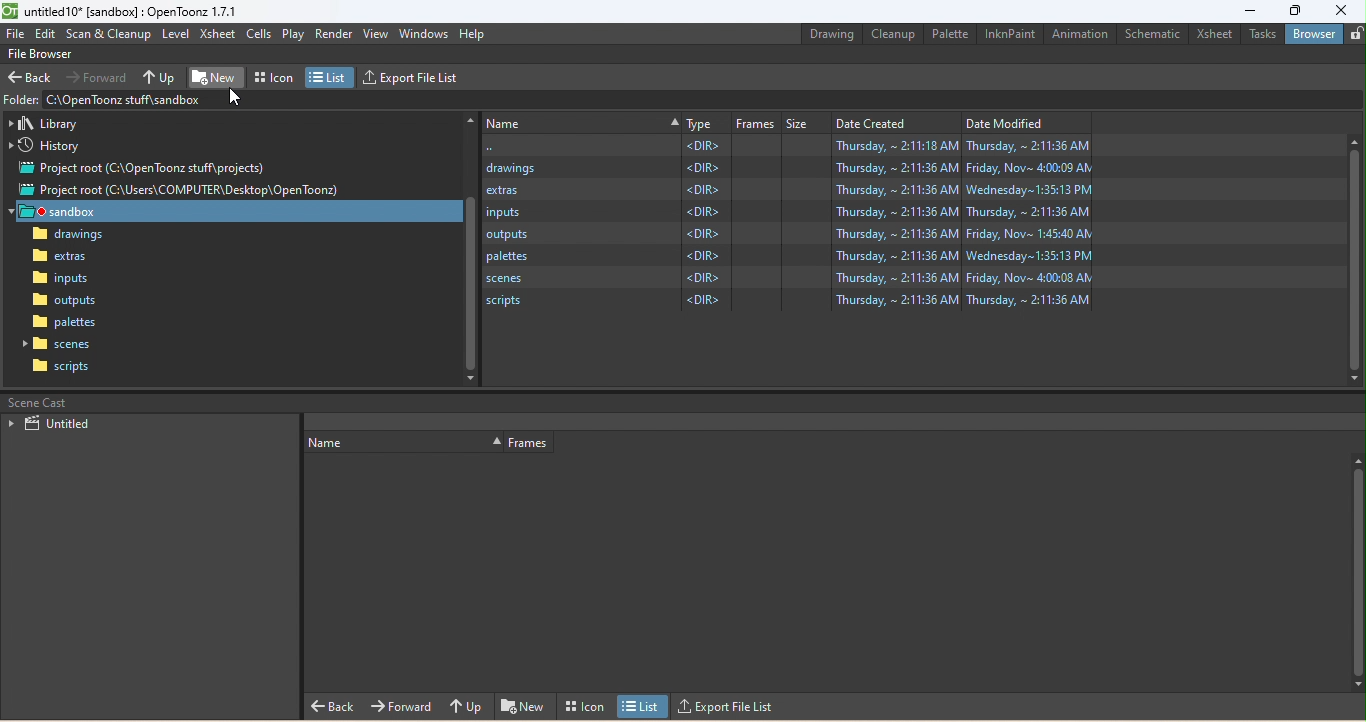 This screenshot has width=1366, height=722. Describe the element at coordinates (1353, 256) in the screenshot. I see `vertical scroll bar` at that location.